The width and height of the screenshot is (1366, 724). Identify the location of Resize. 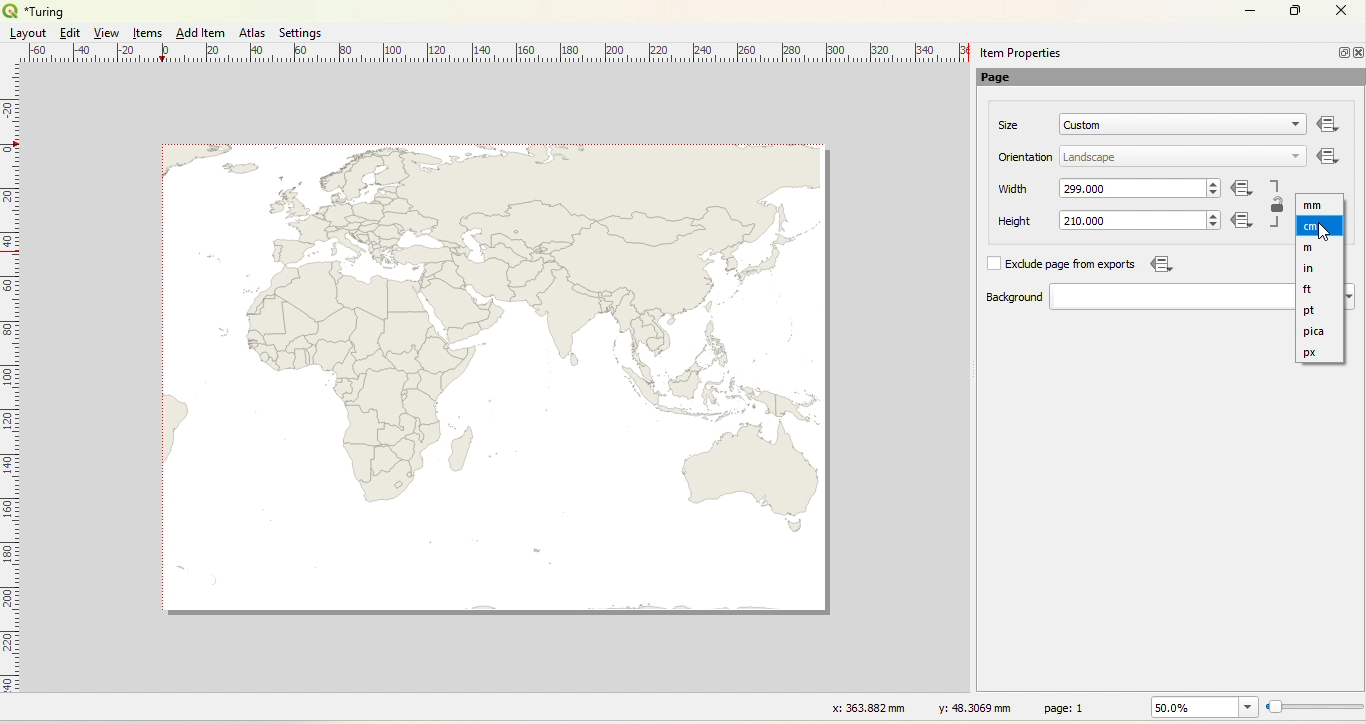
(1315, 708).